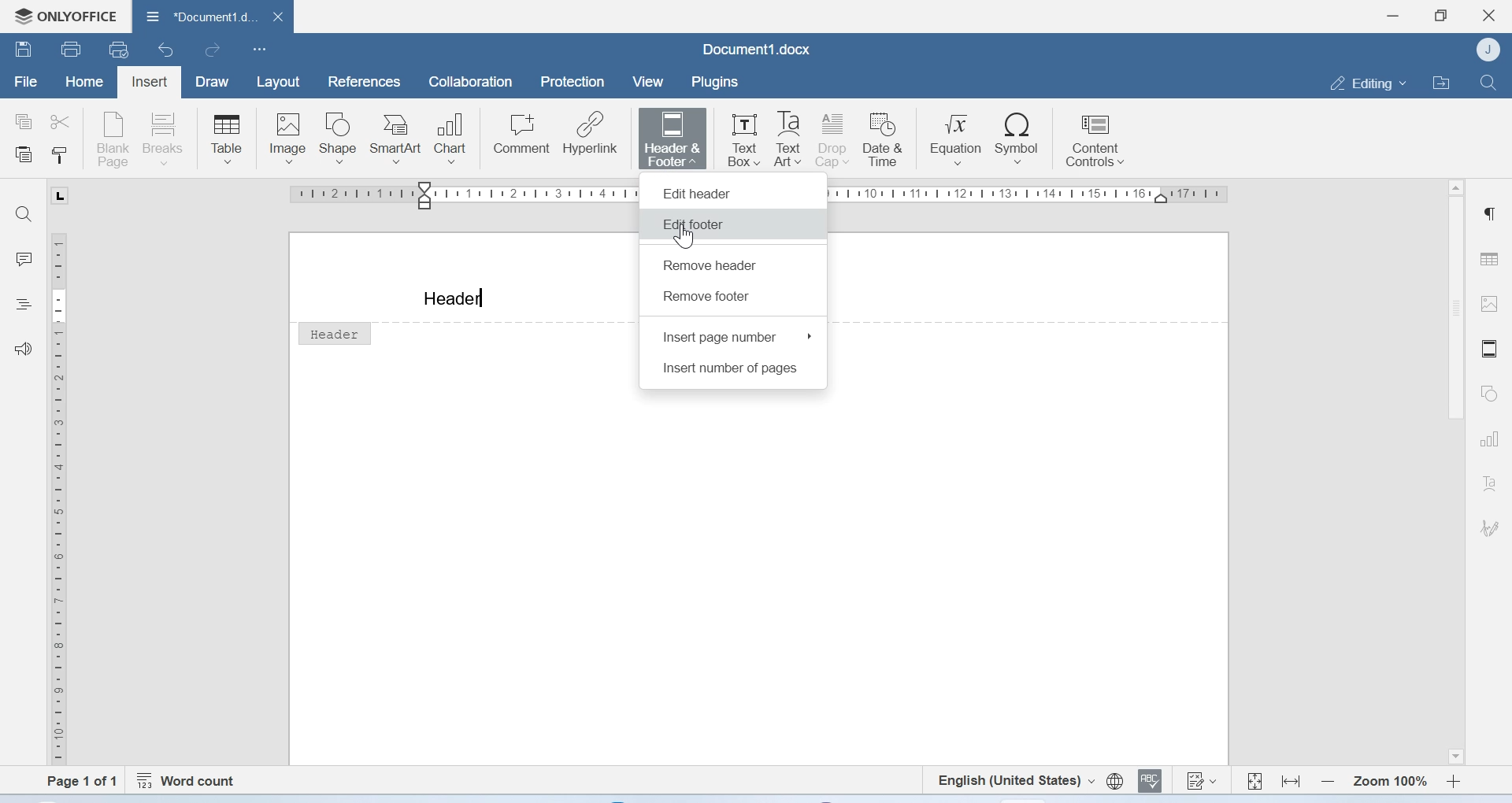 The height and width of the screenshot is (803, 1512). What do you see at coordinates (591, 135) in the screenshot?
I see `Hyperlink` at bounding box center [591, 135].